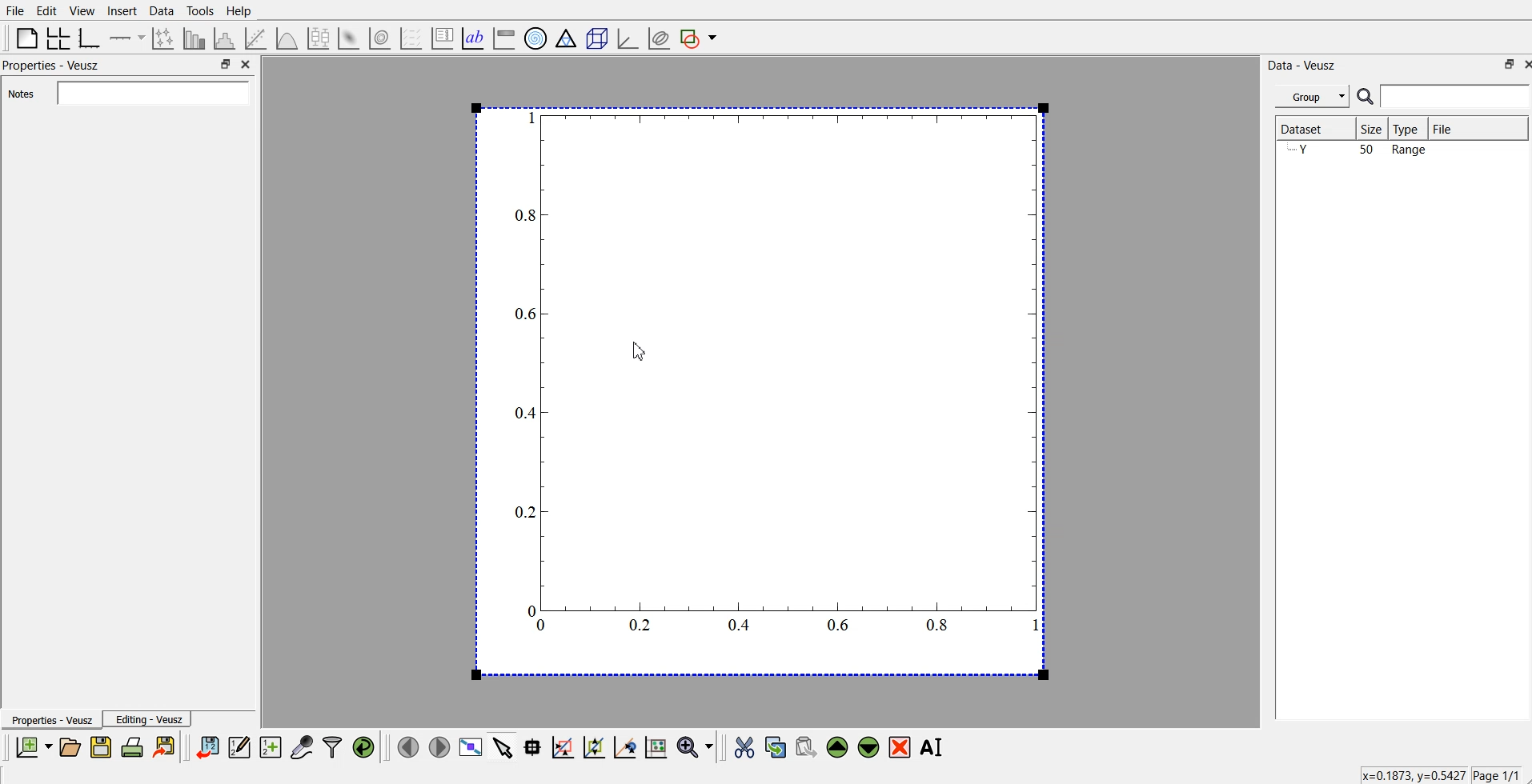 Image resolution: width=1532 pixels, height=784 pixels. I want to click on Data - Veusz, so click(1303, 65).